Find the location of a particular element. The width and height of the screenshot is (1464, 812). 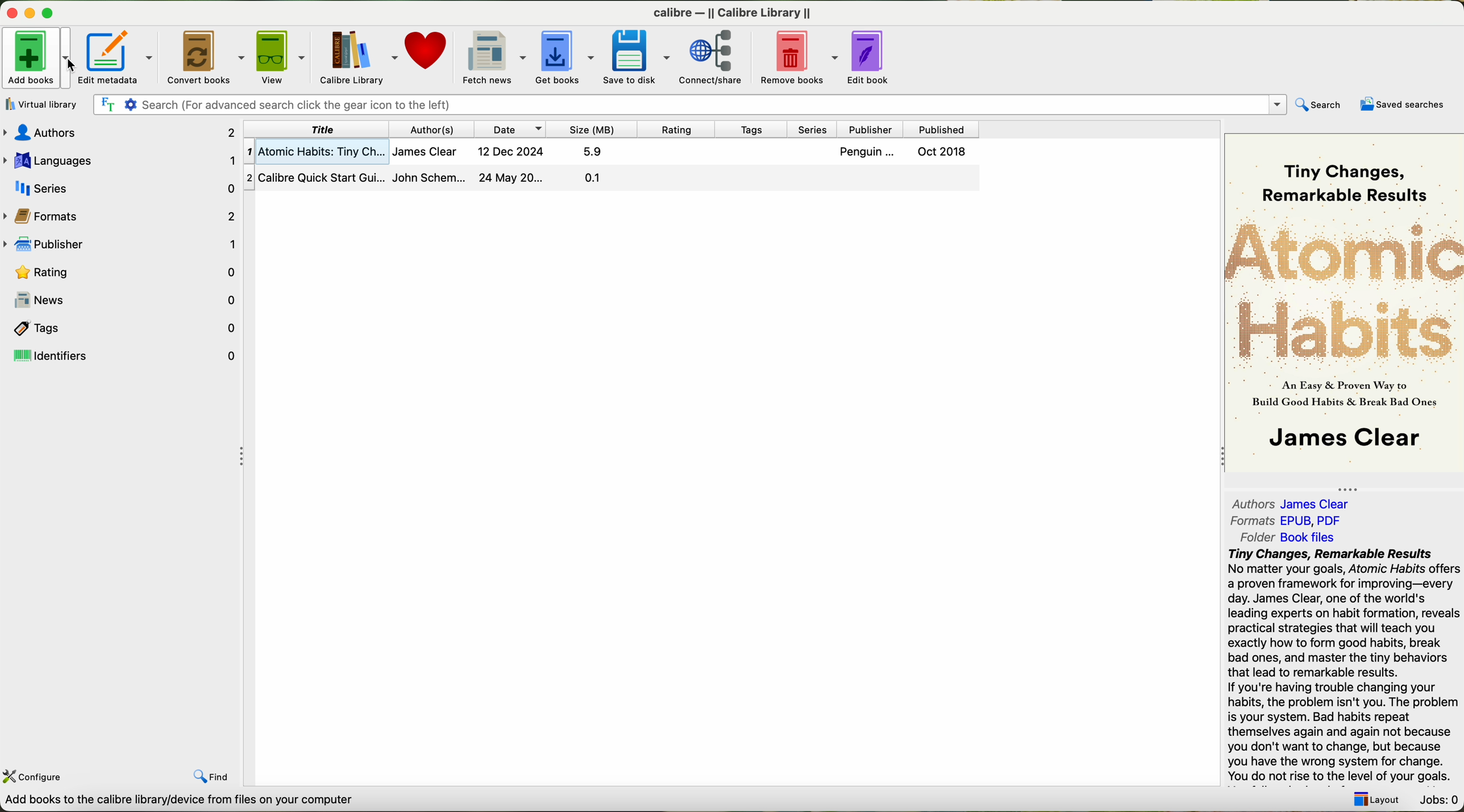

publisher is located at coordinates (867, 128).